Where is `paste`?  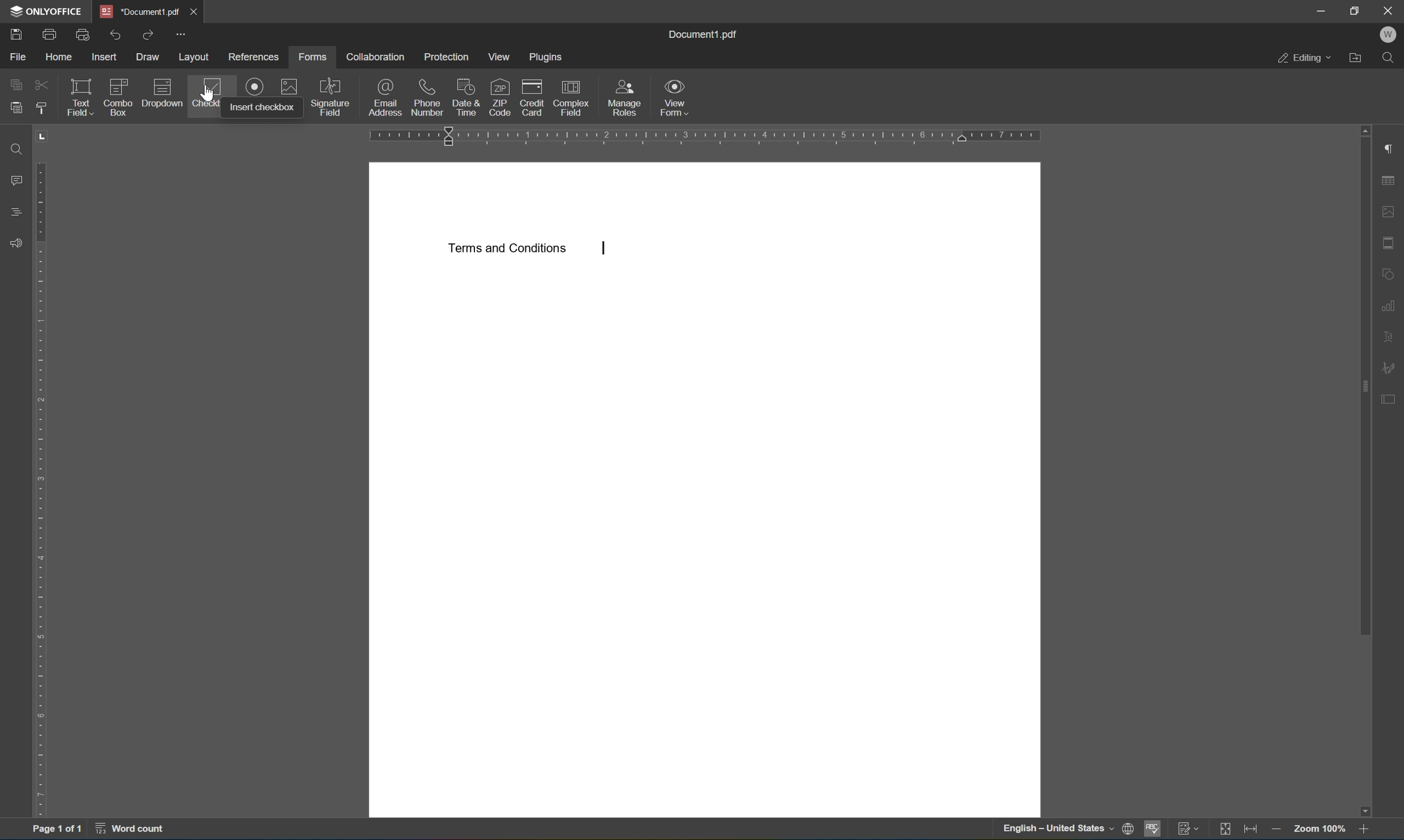 paste is located at coordinates (19, 109).